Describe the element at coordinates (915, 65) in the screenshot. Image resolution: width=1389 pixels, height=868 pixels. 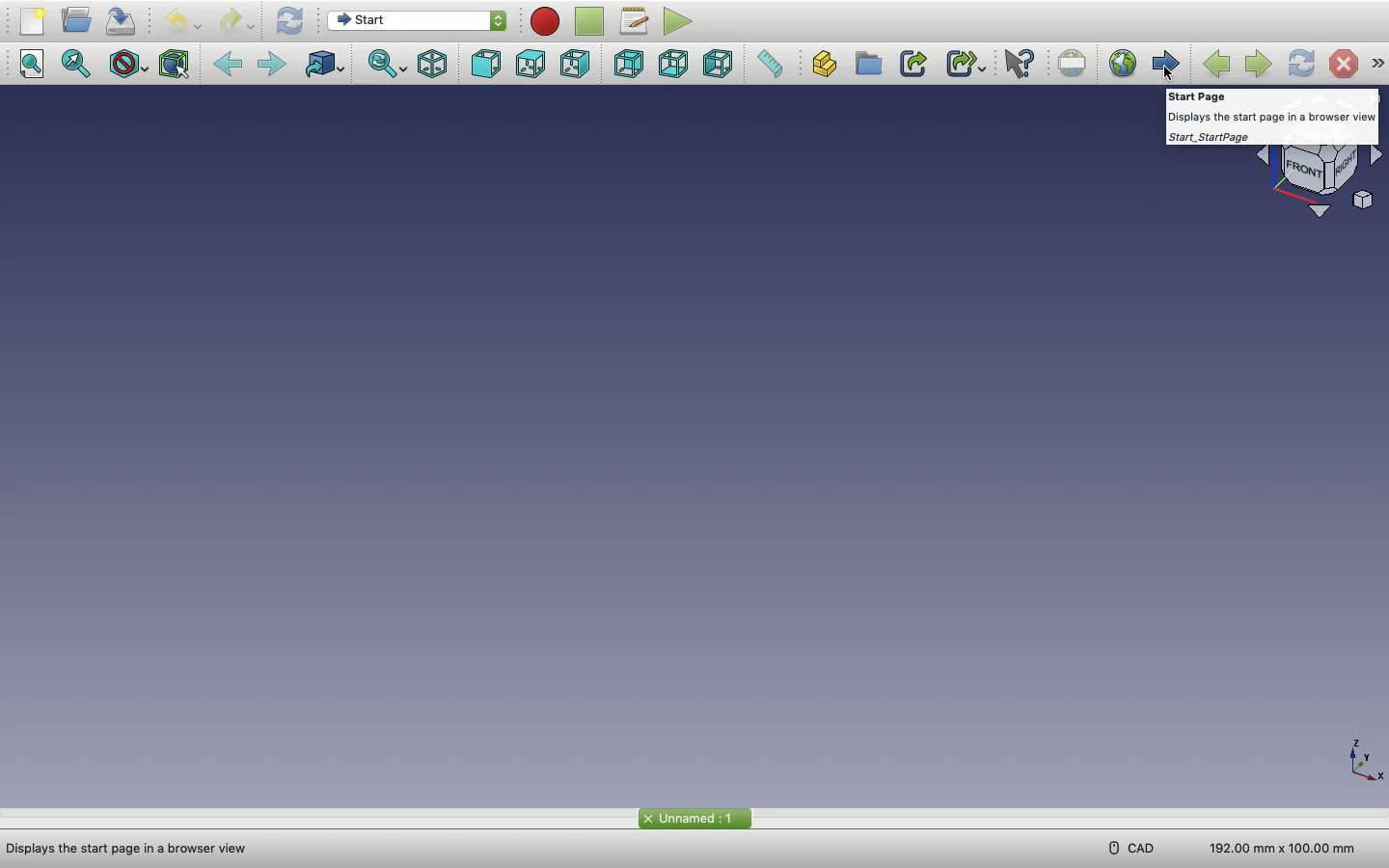
I see `Make link` at that location.